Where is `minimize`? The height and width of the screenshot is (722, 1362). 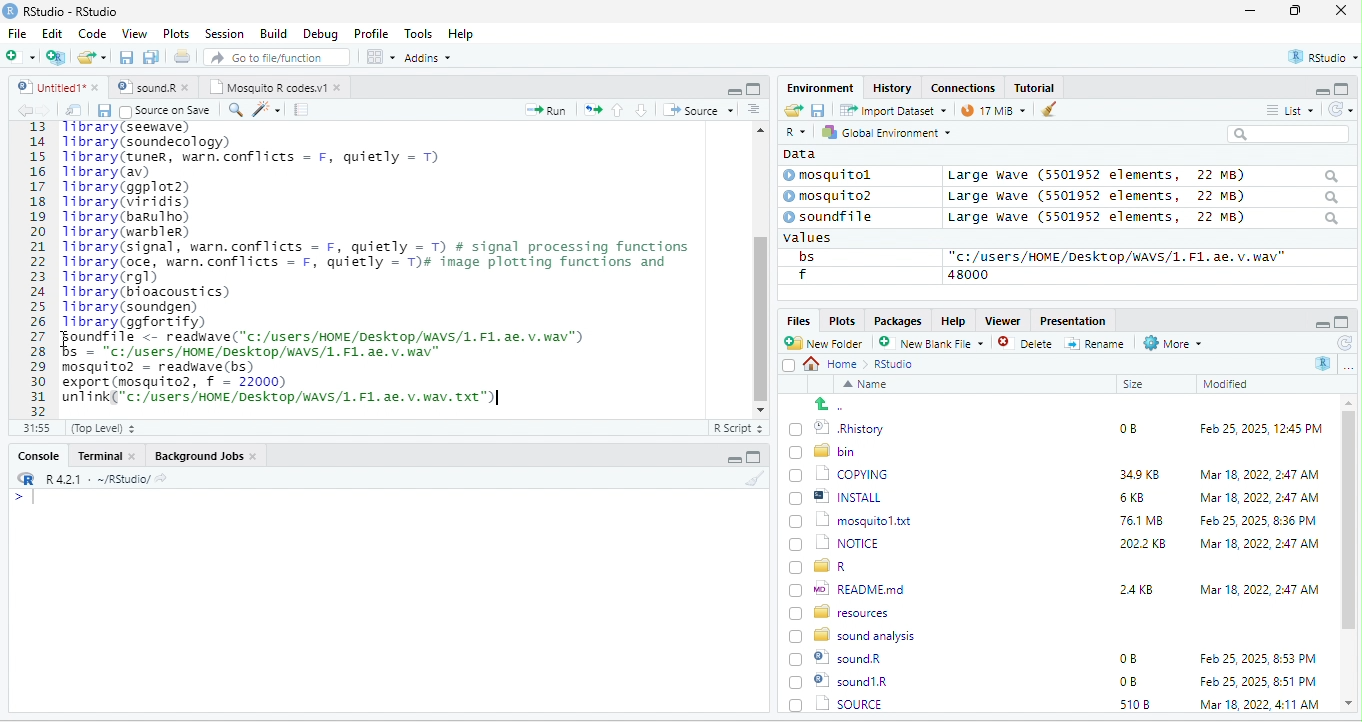 minimize is located at coordinates (1314, 90).